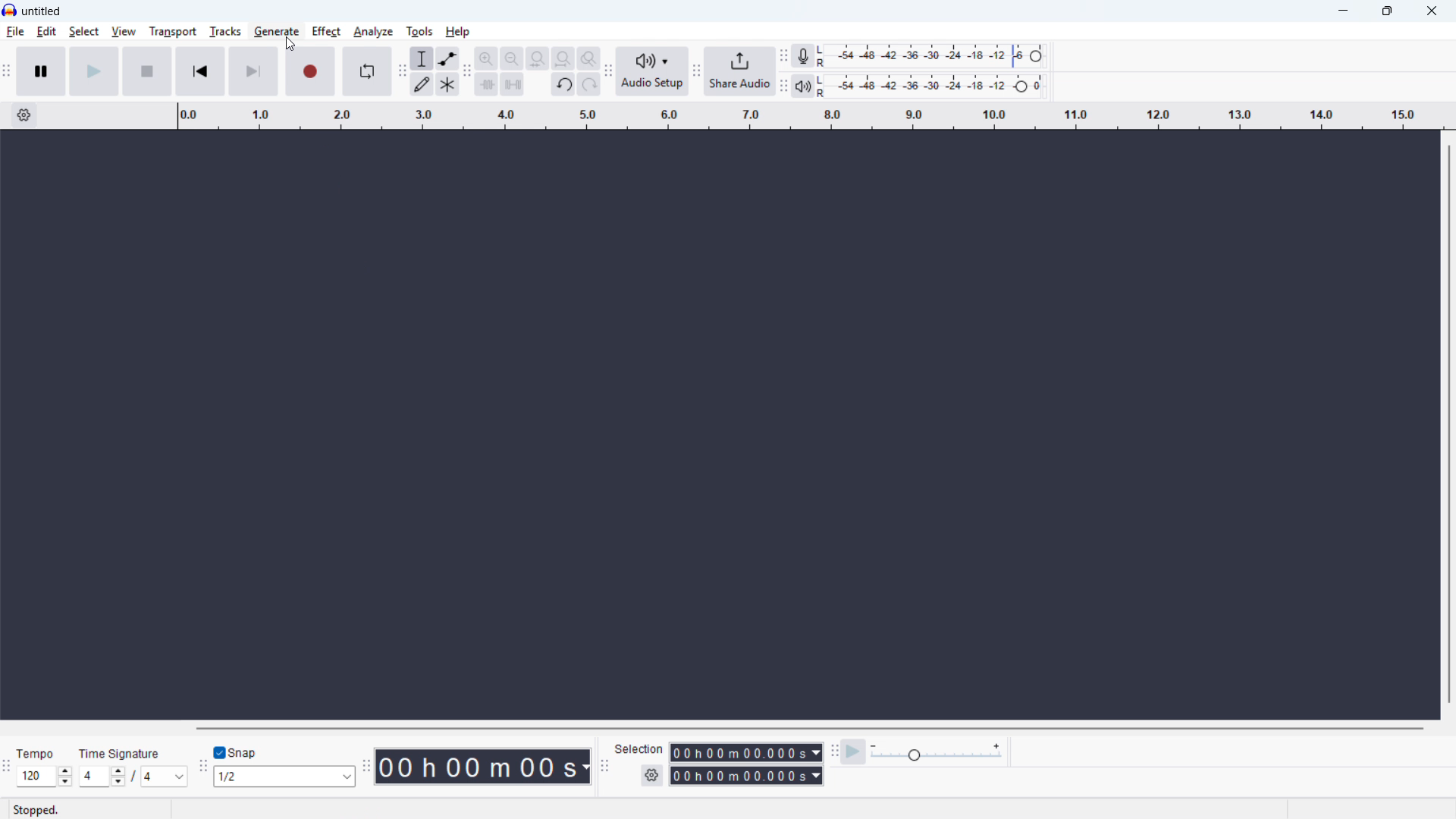 The image size is (1456, 819). What do you see at coordinates (171, 31) in the screenshot?
I see `Transport ` at bounding box center [171, 31].